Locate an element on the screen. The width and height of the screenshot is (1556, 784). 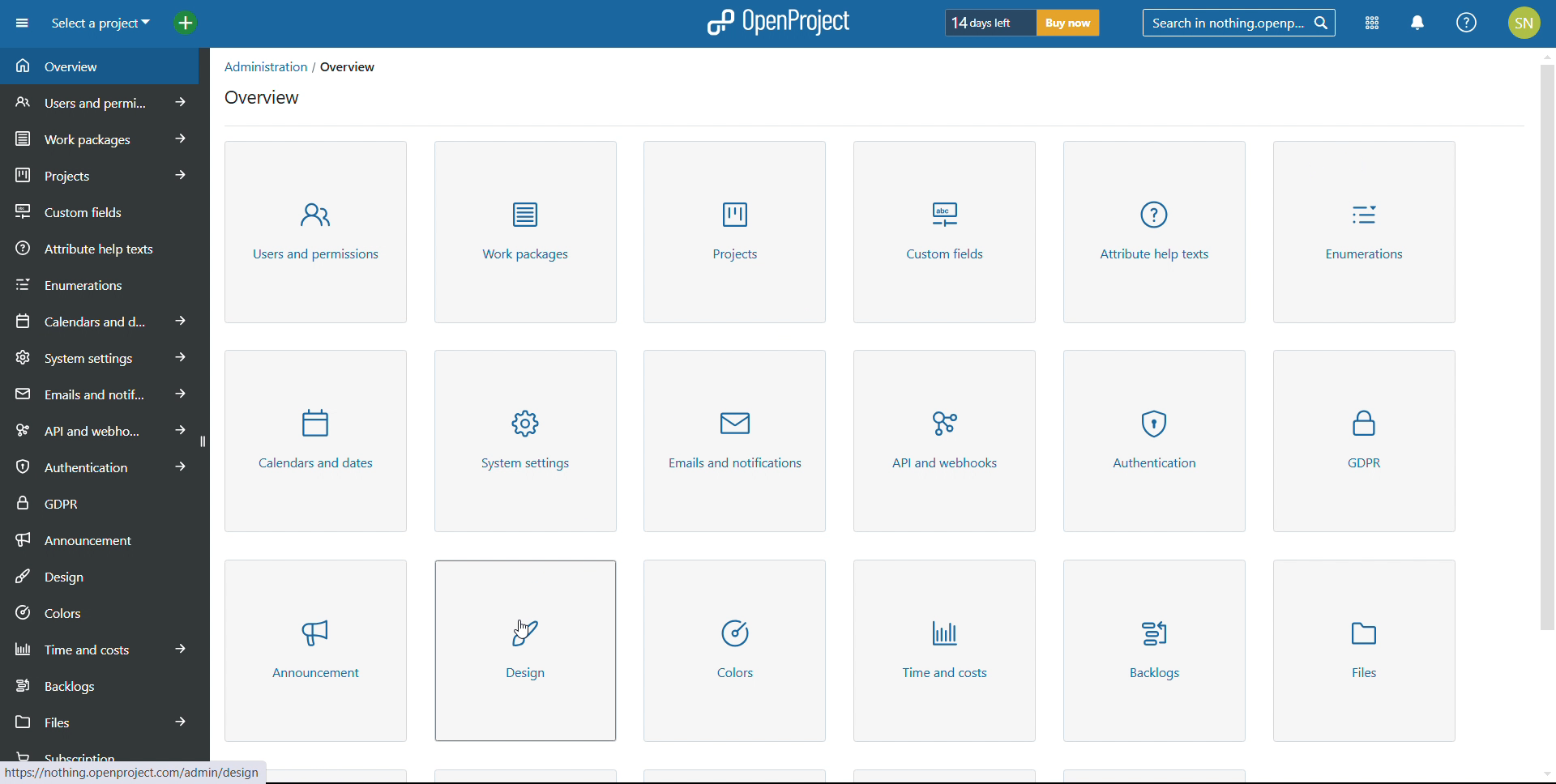
days left of trial is located at coordinates (986, 22).